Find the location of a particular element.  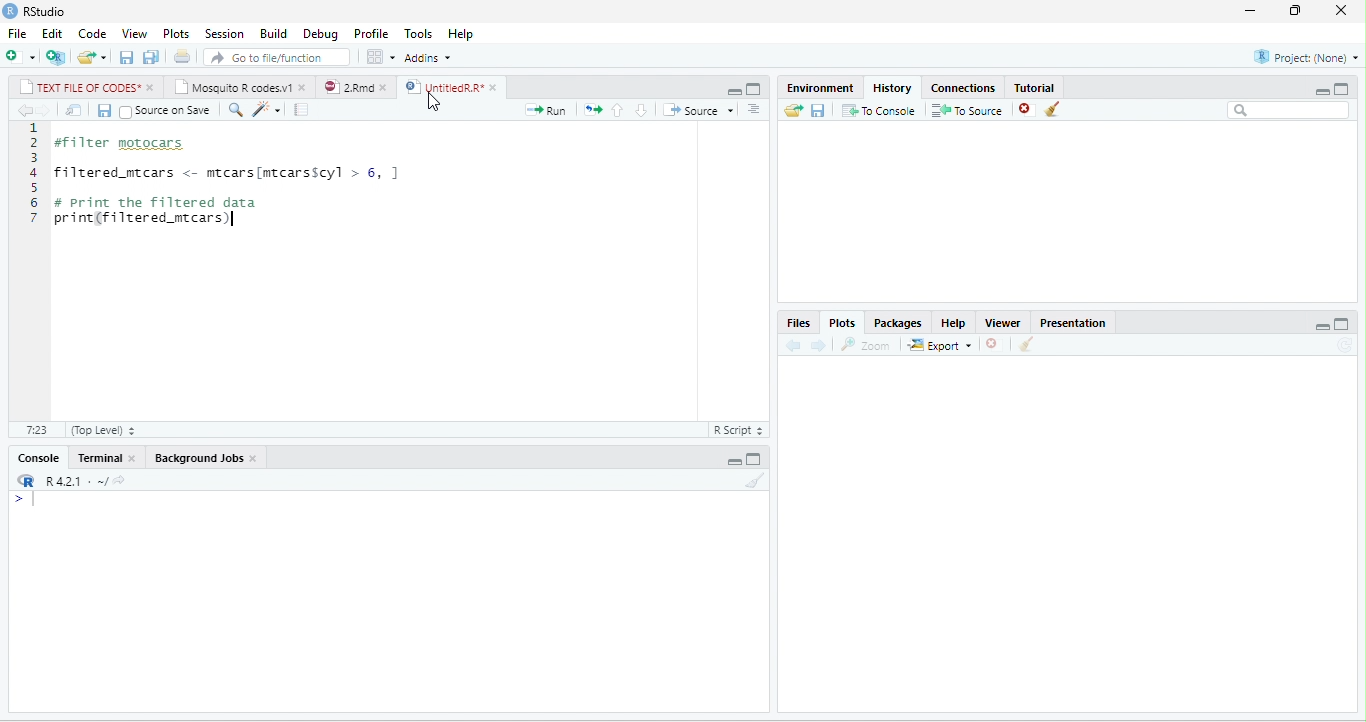

options is located at coordinates (380, 56).